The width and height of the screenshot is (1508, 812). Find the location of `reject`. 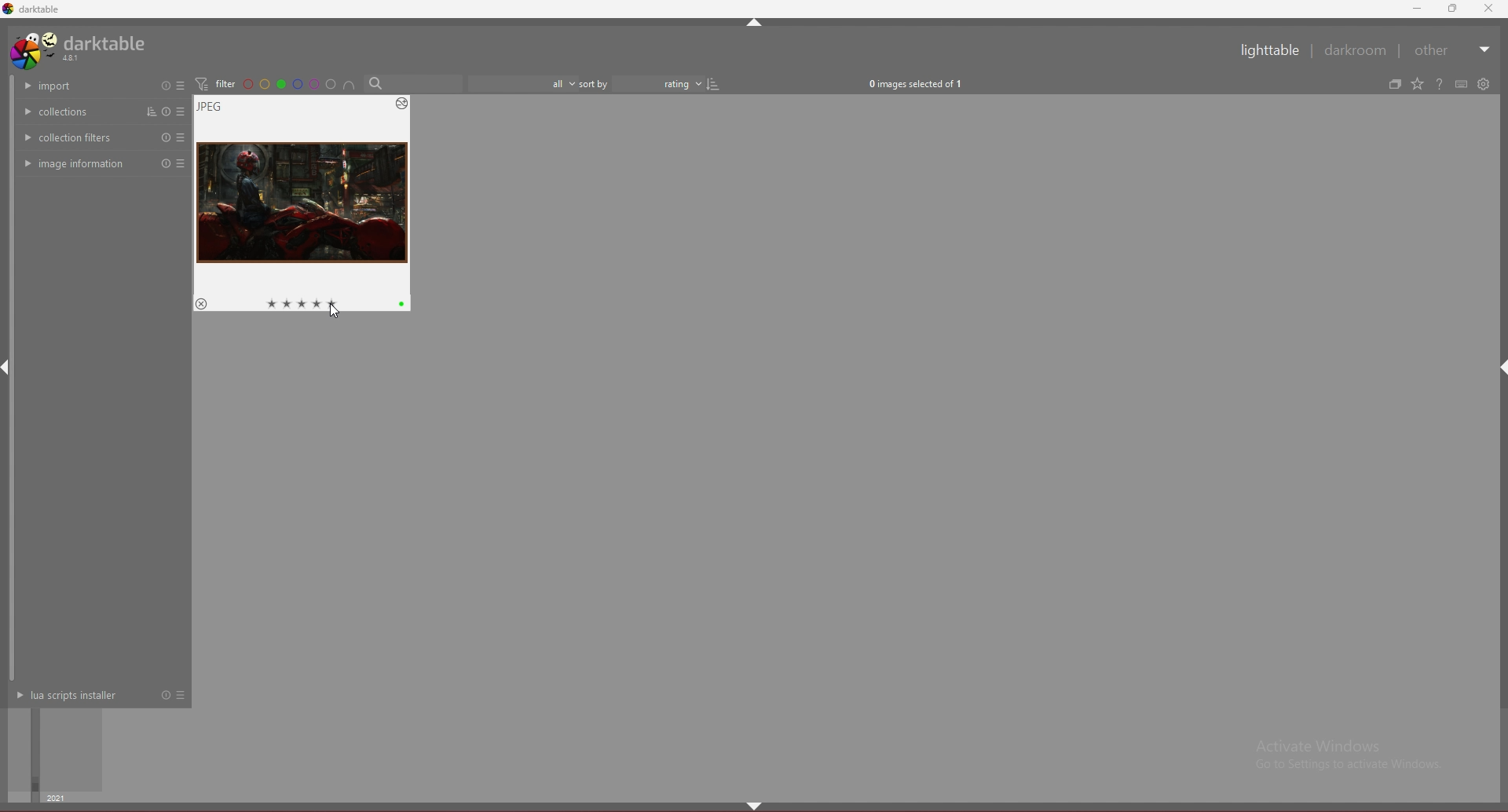

reject is located at coordinates (202, 304).